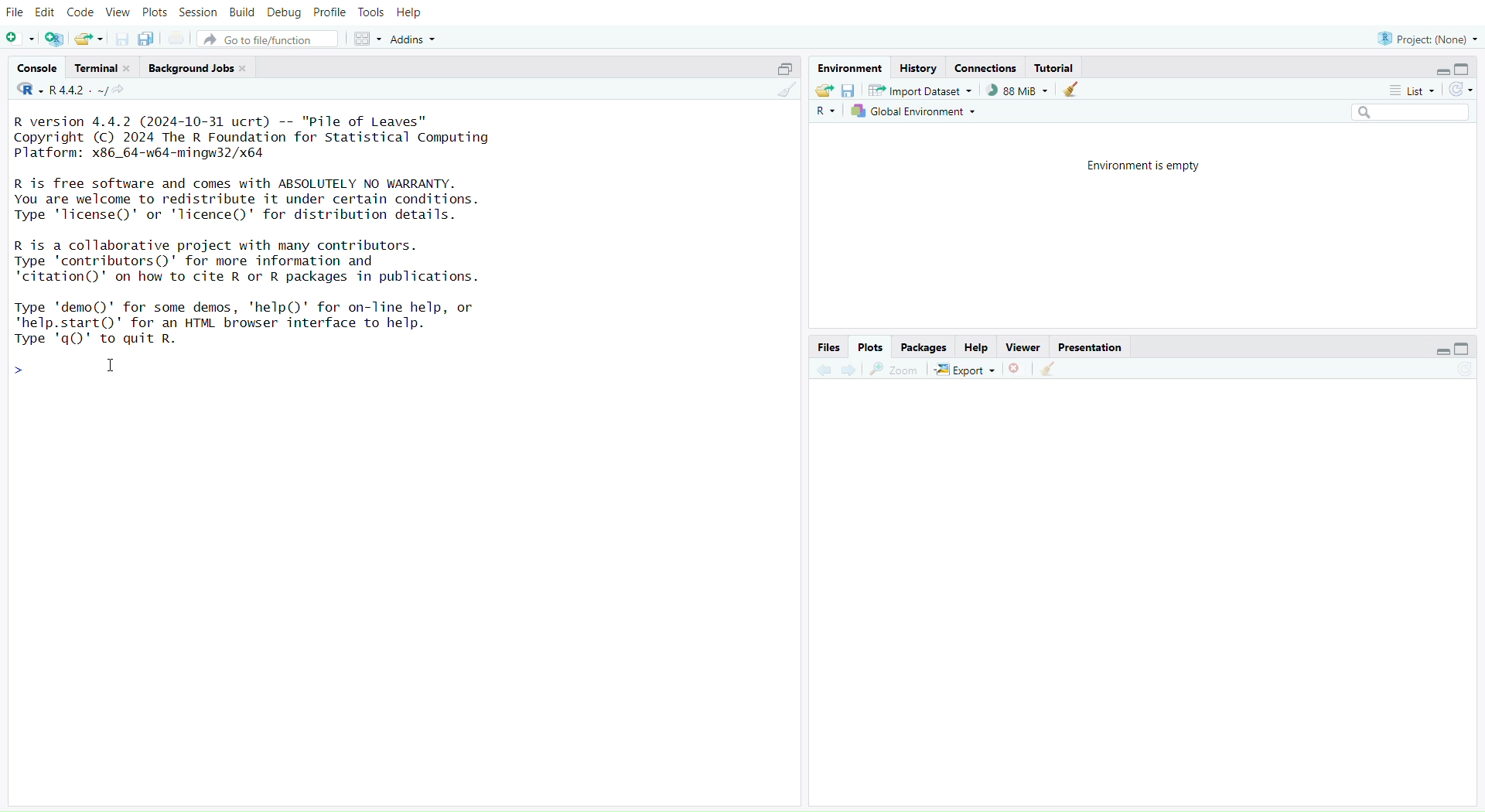 The height and width of the screenshot is (812, 1485). What do you see at coordinates (258, 324) in the screenshot?
I see `Type 'demo()' for some demos, 'help()' for on-line help, orhelp.start()' for an HTML browser interface to help.Type 'q() to quit R.` at bounding box center [258, 324].